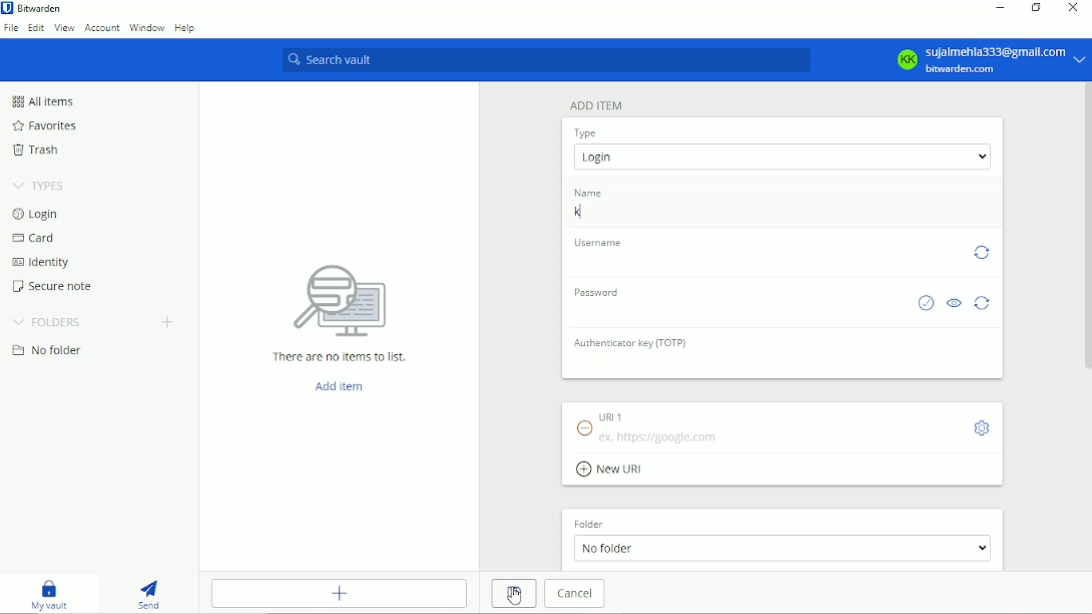 The image size is (1092, 614). I want to click on Add item, so click(339, 386).